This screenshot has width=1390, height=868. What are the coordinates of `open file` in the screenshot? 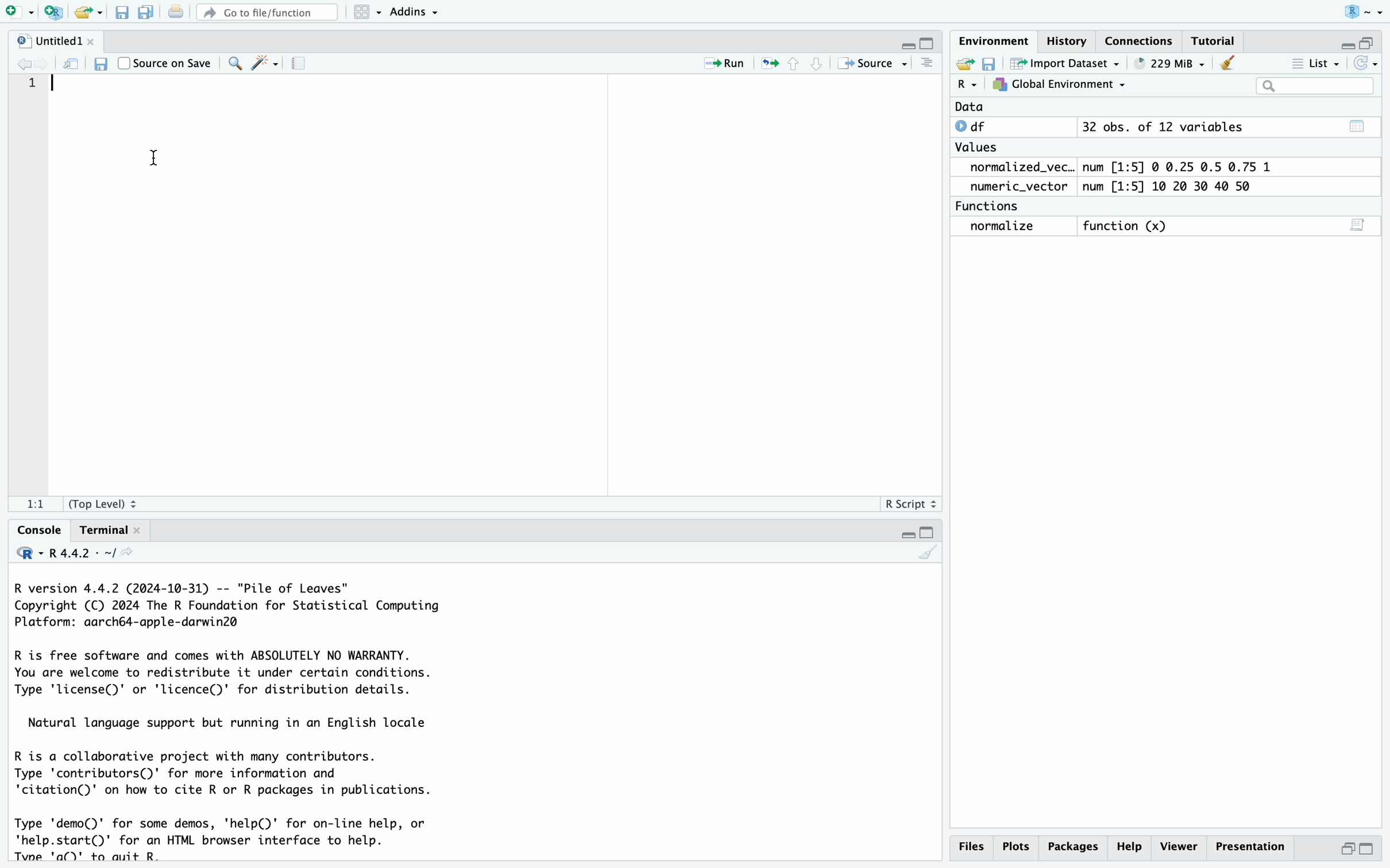 It's located at (85, 14).